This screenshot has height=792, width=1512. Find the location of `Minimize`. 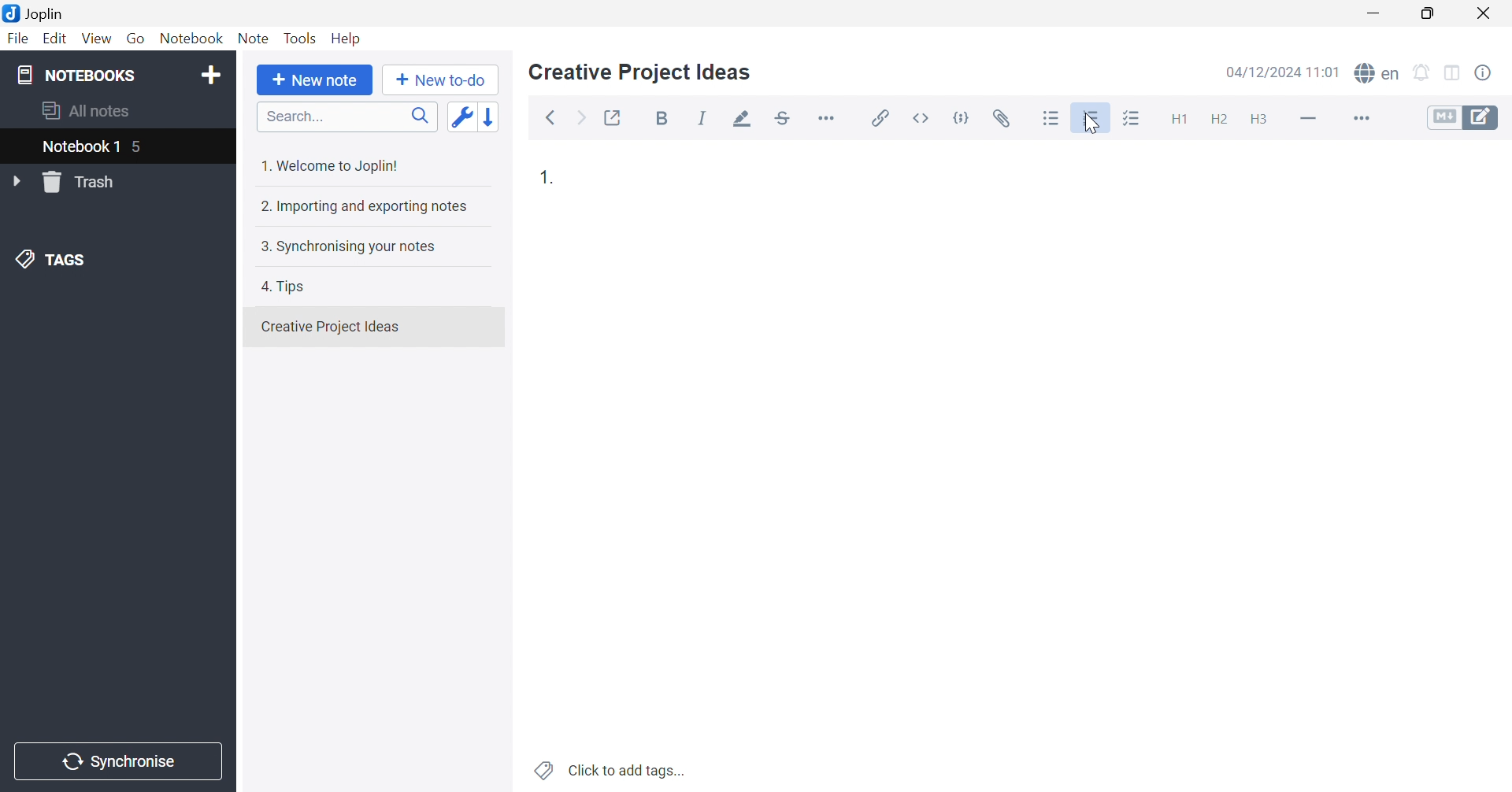

Minimize is located at coordinates (1379, 13).